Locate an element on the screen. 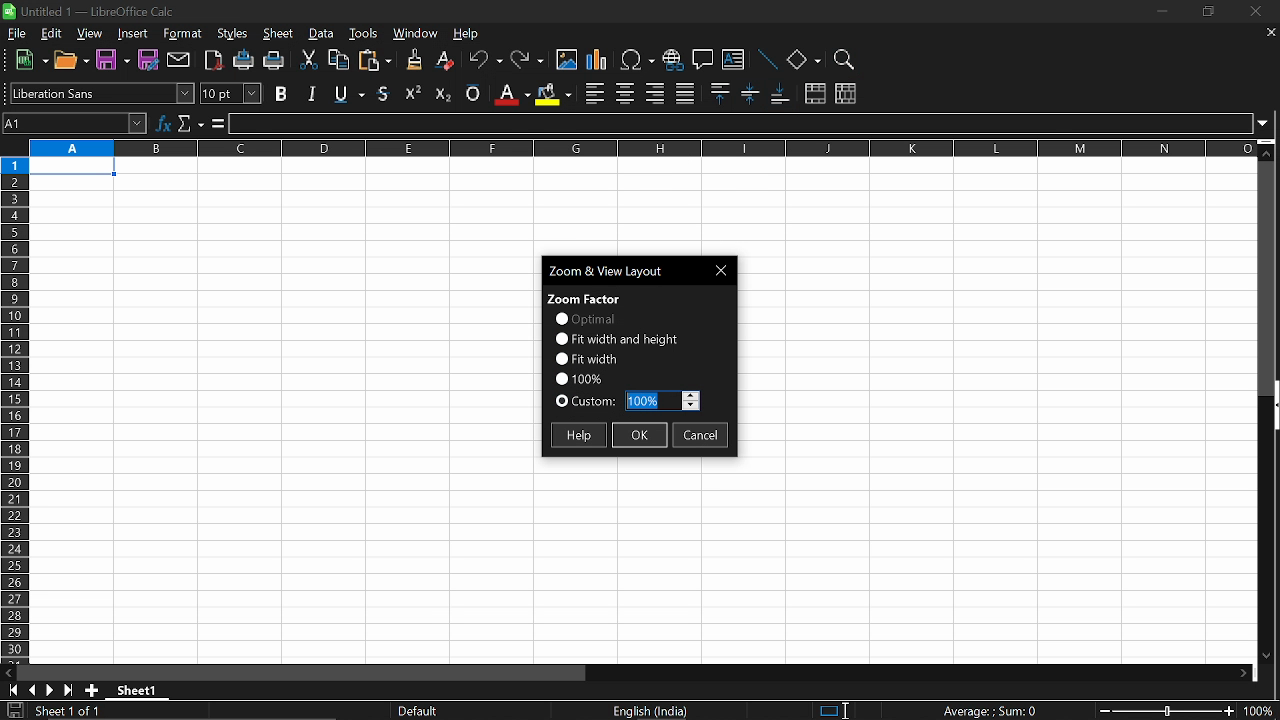 The height and width of the screenshot is (720, 1280). input line is located at coordinates (742, 124).